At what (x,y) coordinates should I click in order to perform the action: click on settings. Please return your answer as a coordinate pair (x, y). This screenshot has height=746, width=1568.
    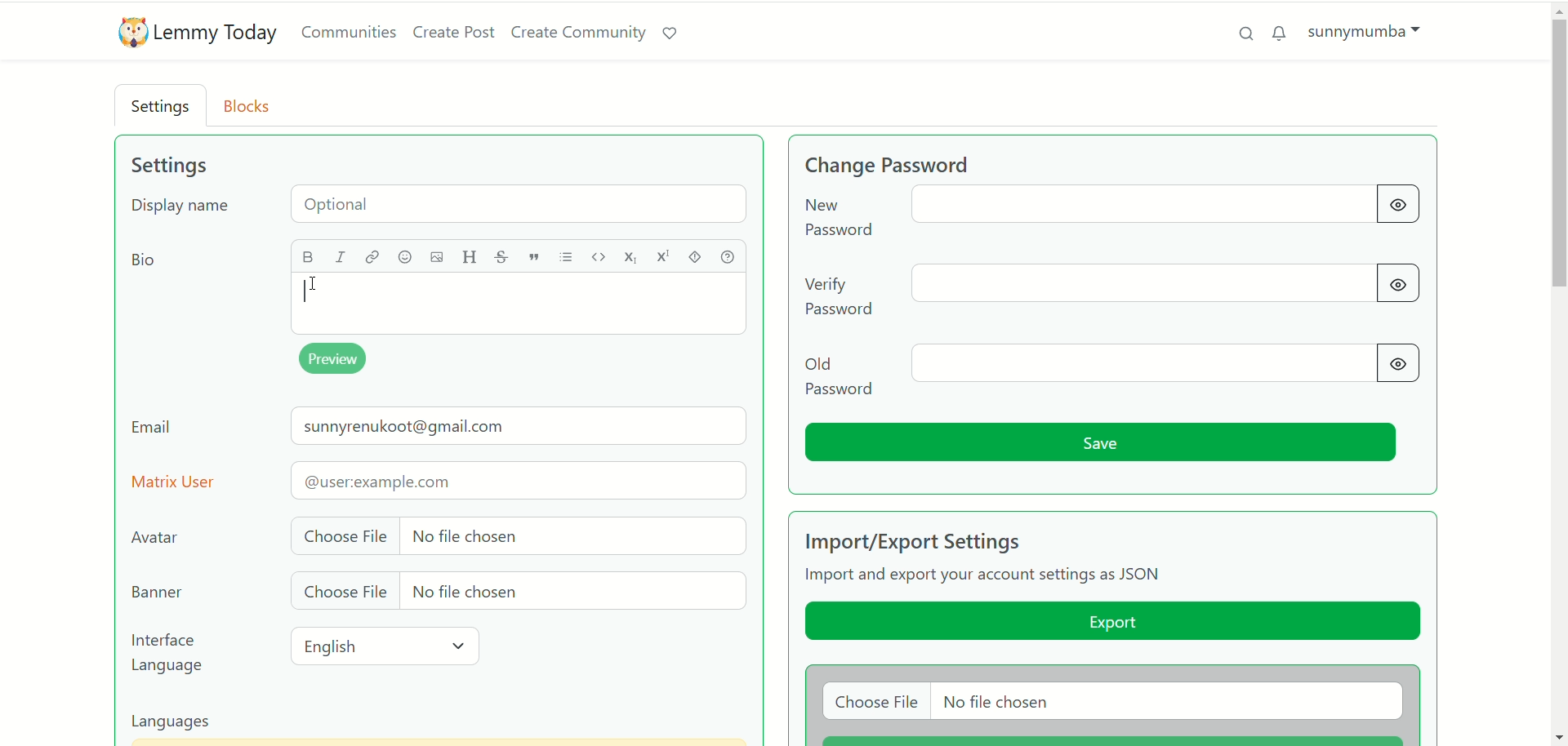
    Looking at the image, I should click on (168, 166).